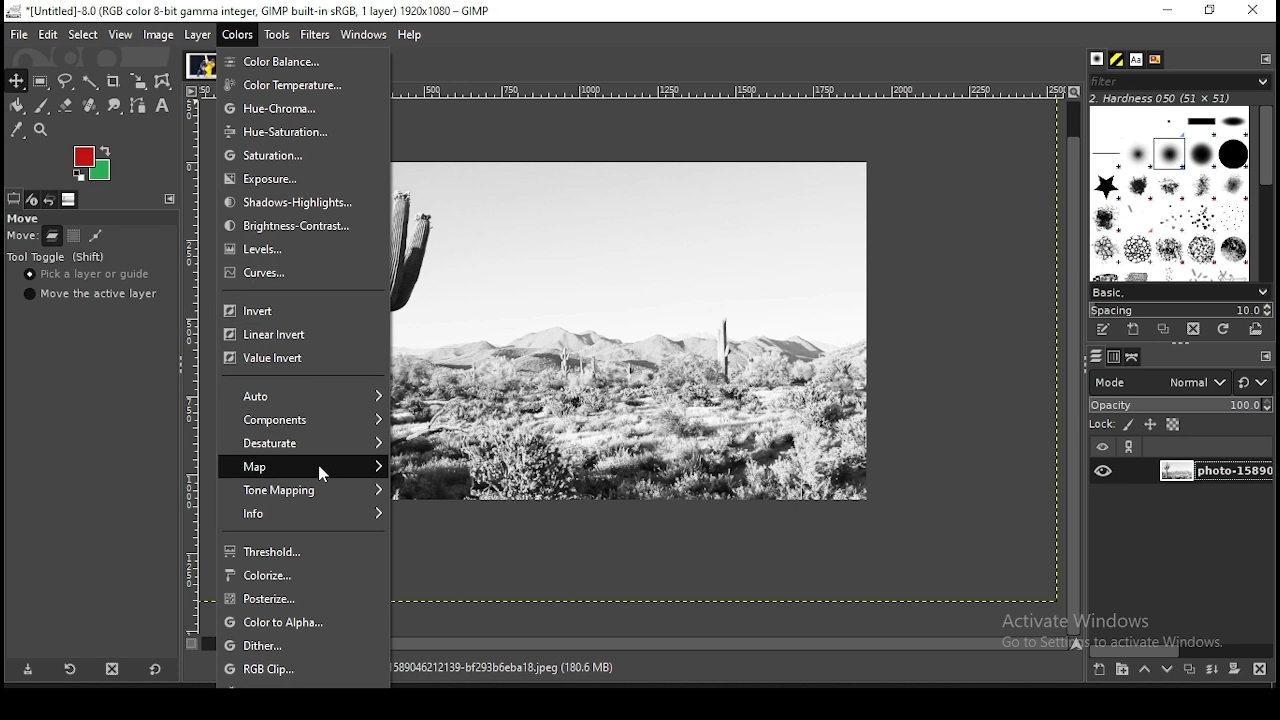 This screenshot has height=720, width=1280. Describe the element at coordinates (305, 599) in the screenshot. I see `posterize` at that location.